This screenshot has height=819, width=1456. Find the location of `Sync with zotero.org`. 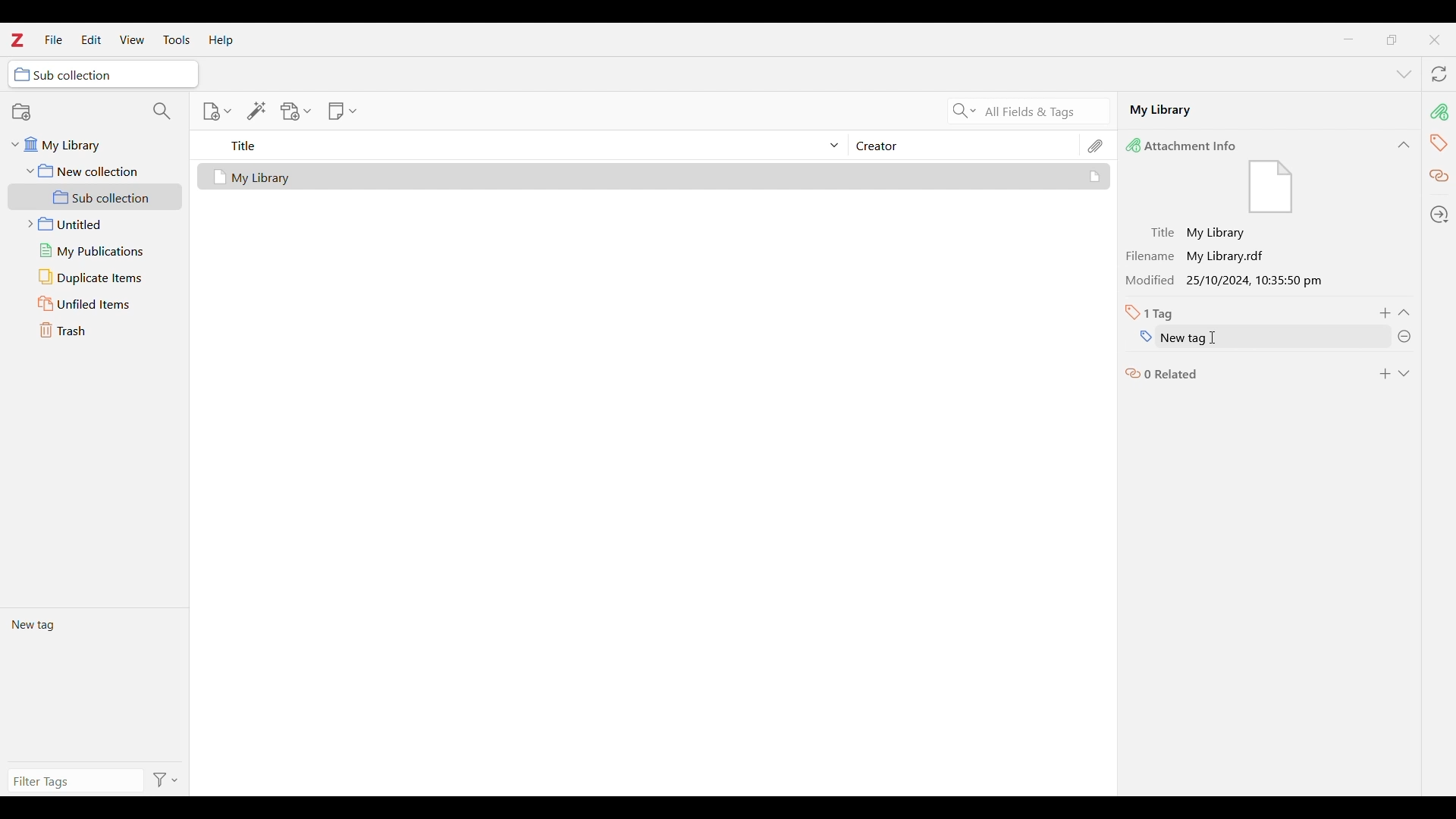

Sync with zotero.org is located at coordinates (1439, 74).